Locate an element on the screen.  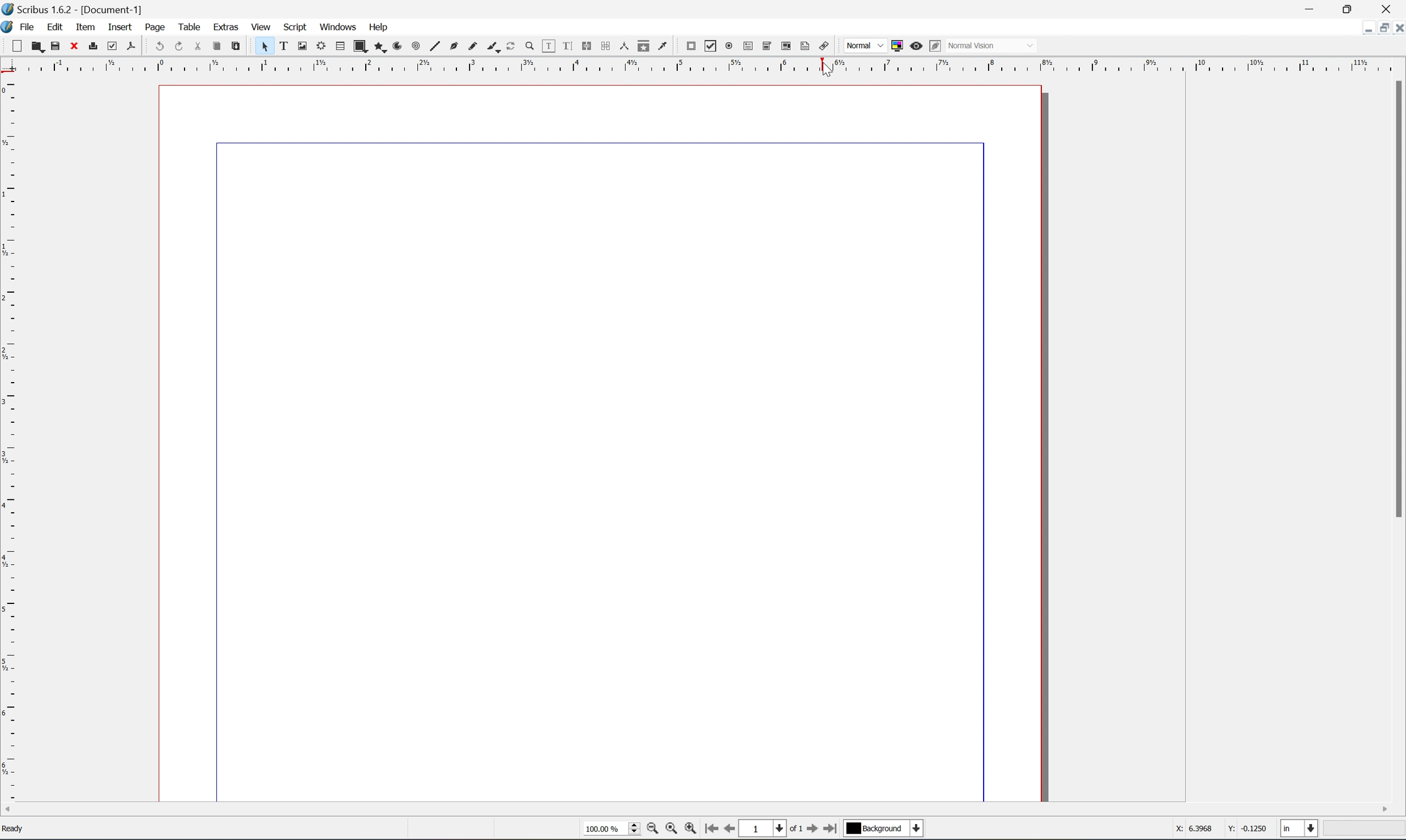
spiral is located at coordinates (416, 47).